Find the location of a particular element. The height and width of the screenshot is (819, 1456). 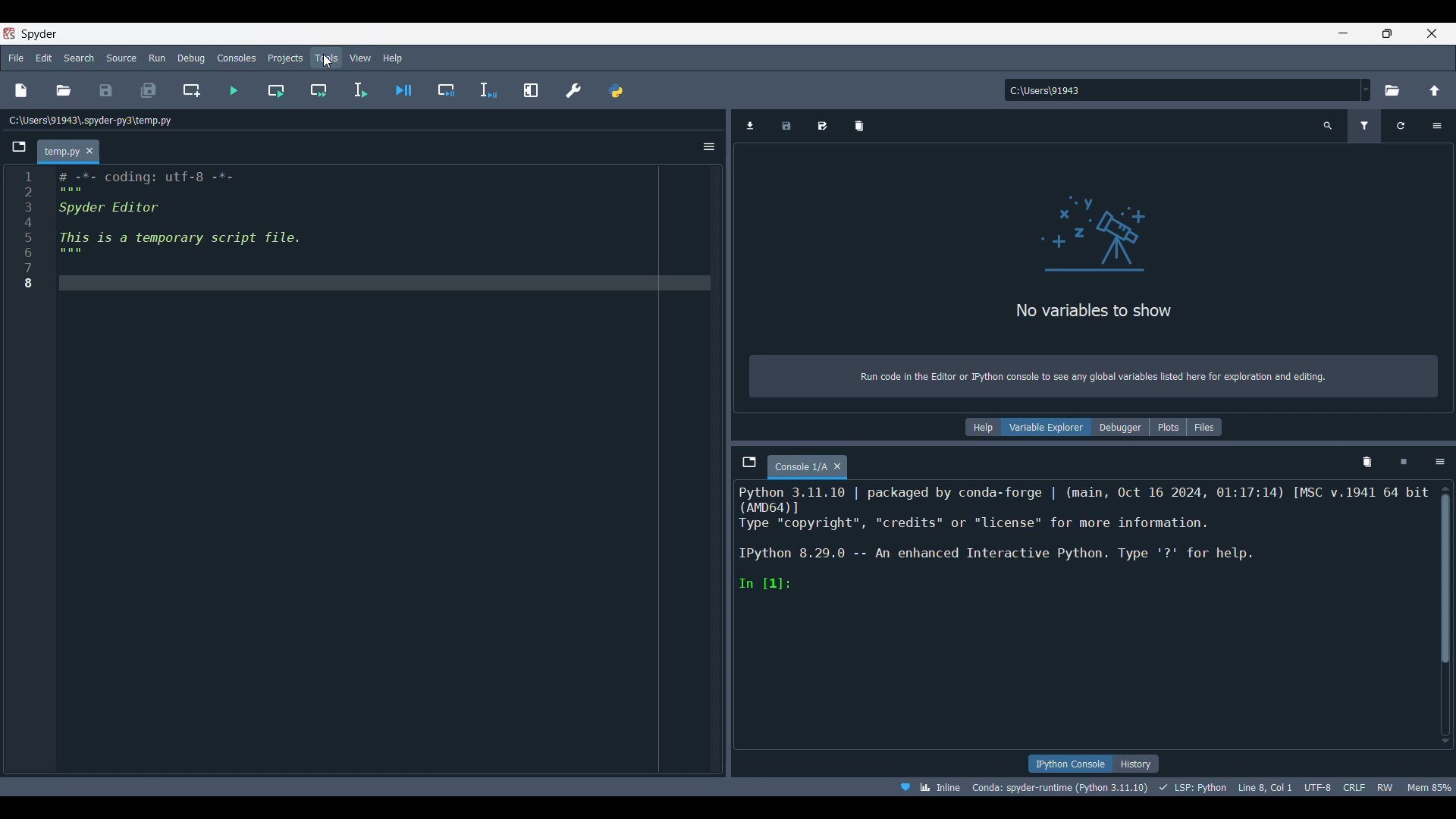

Help is located at coordinates (982, 427).